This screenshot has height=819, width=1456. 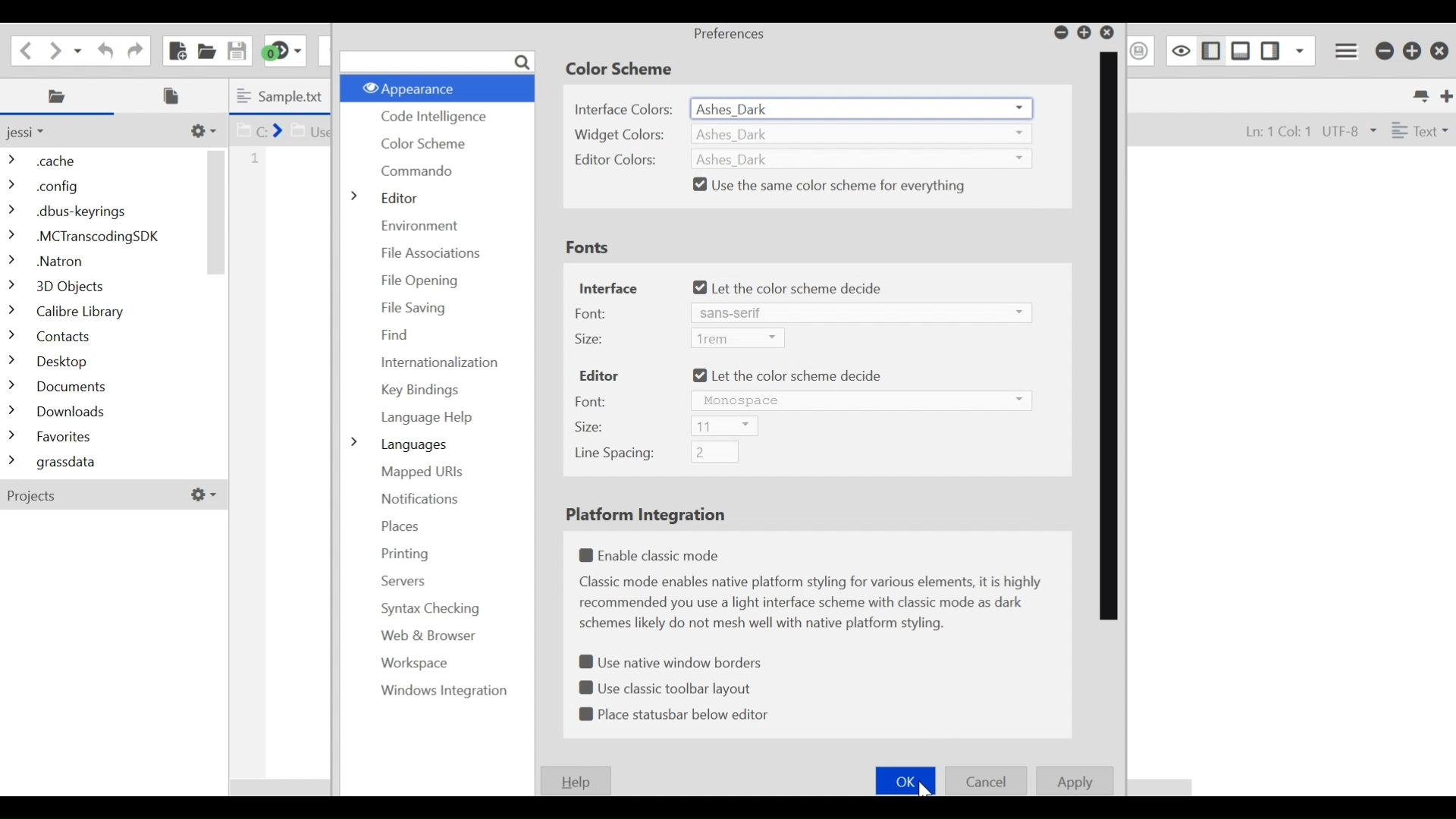 What do you see at coordinates (905, 780) in the screenshot?
I see `OK` at bounding box center [905, 780].